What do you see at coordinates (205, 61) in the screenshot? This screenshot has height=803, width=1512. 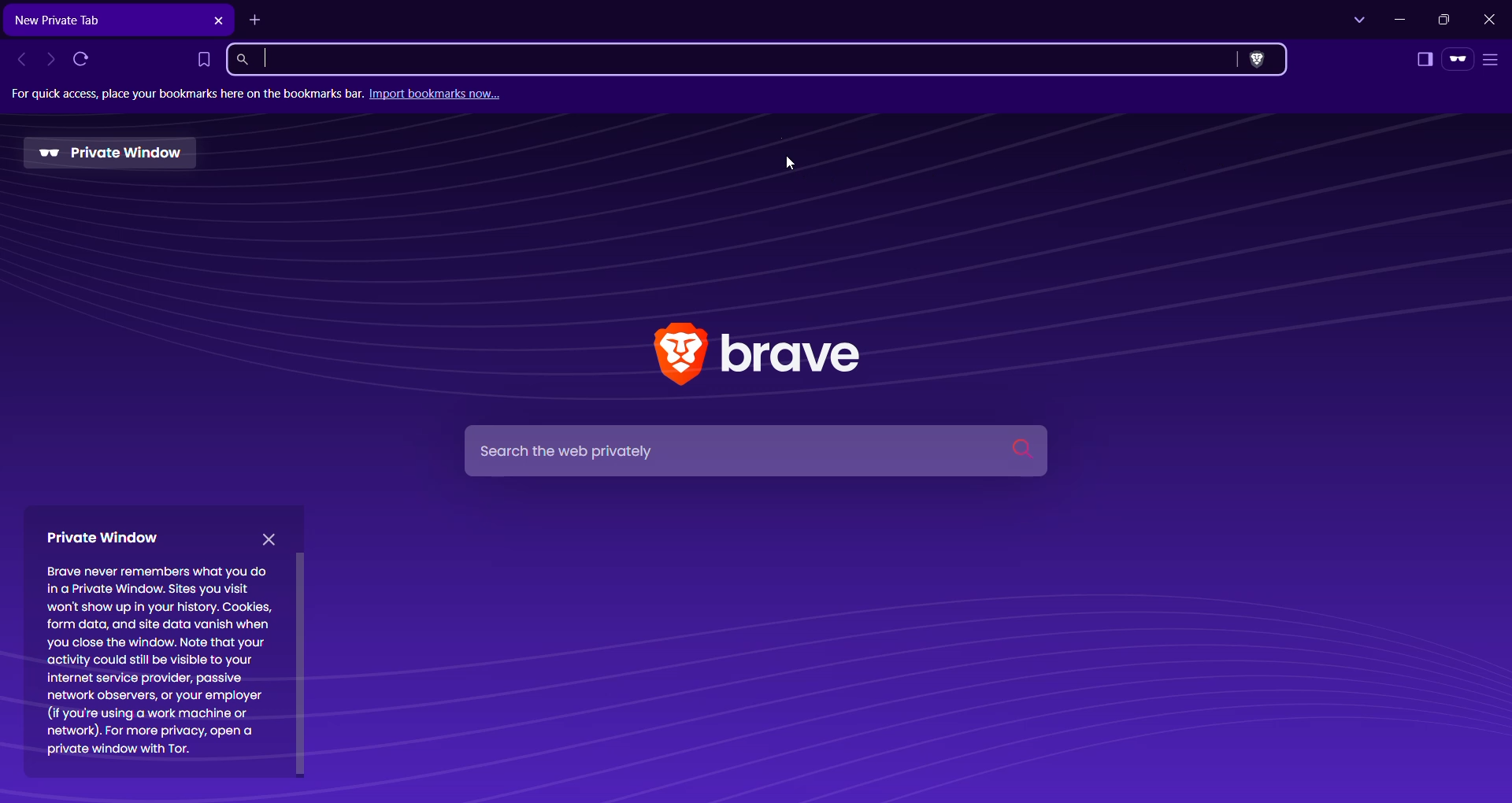 I see `Bookmark this Tab` at bounding box center [205, 61].